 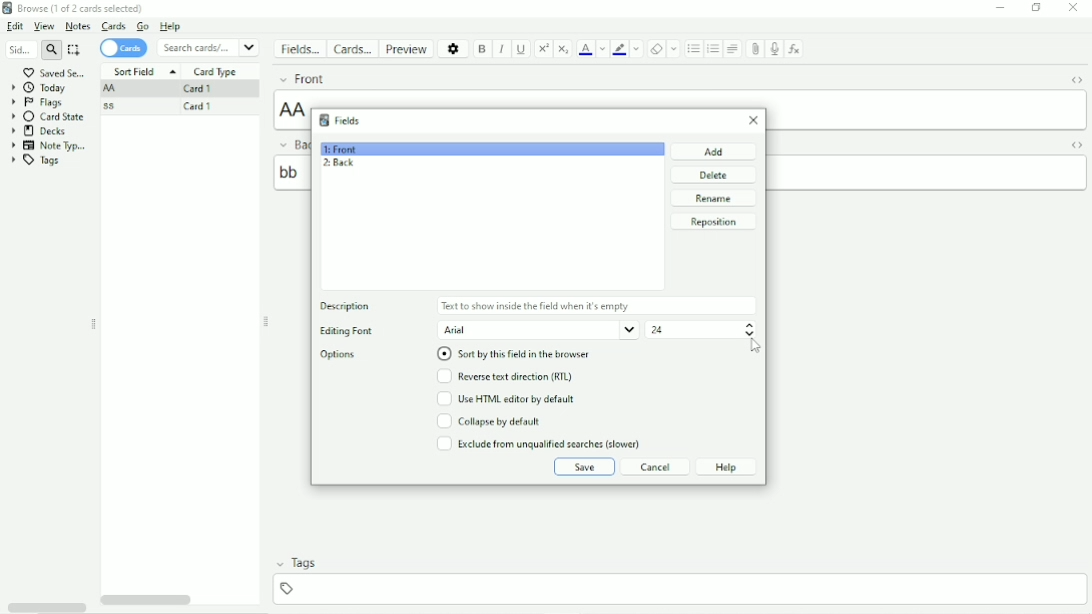 What do you see at coordinates (359, 330) in the screenshot?
I see `Editing Font` at bounding box center [359, 330].